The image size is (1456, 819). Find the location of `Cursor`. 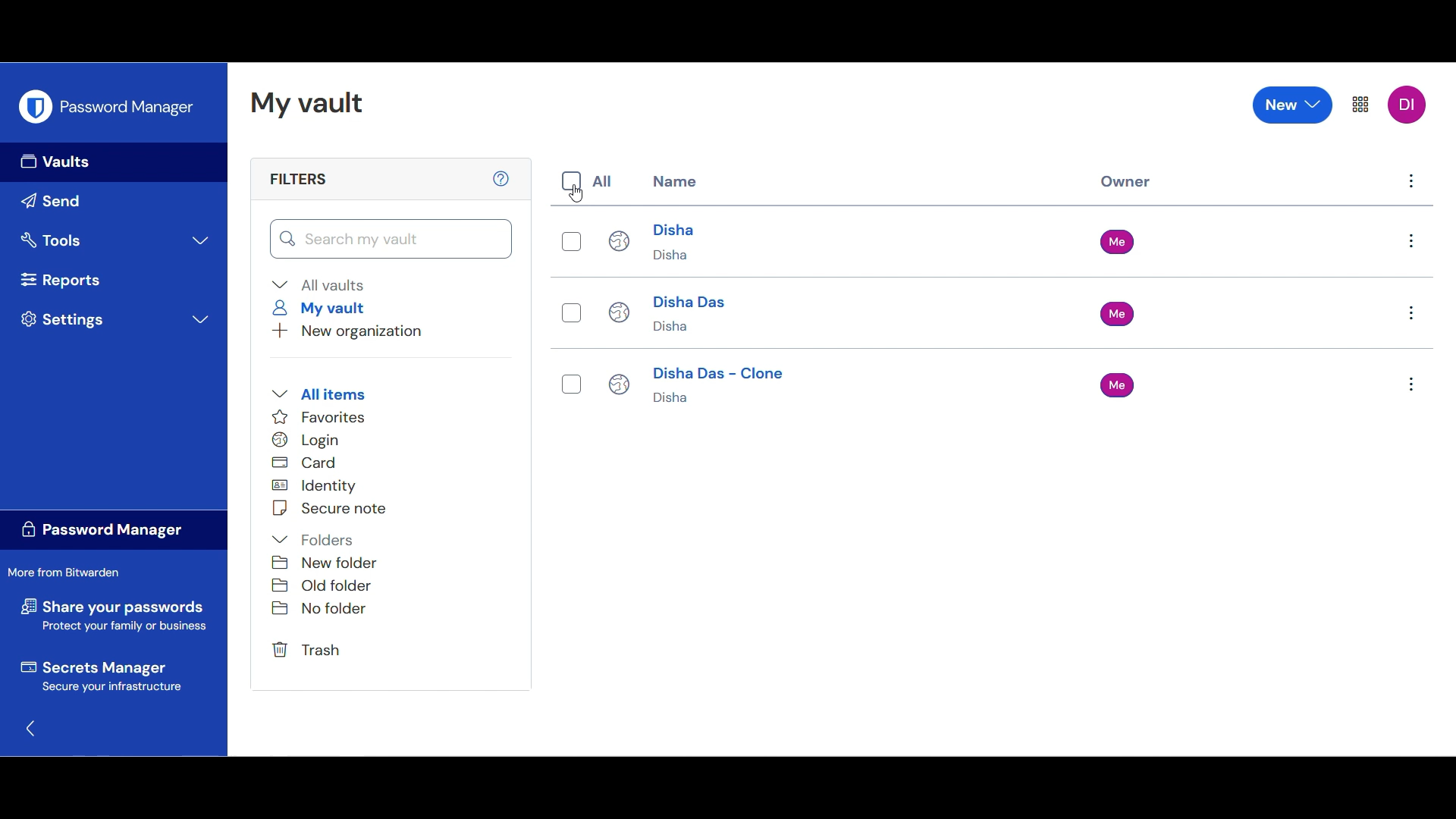

Cursor is located at coordinates (573, 195).